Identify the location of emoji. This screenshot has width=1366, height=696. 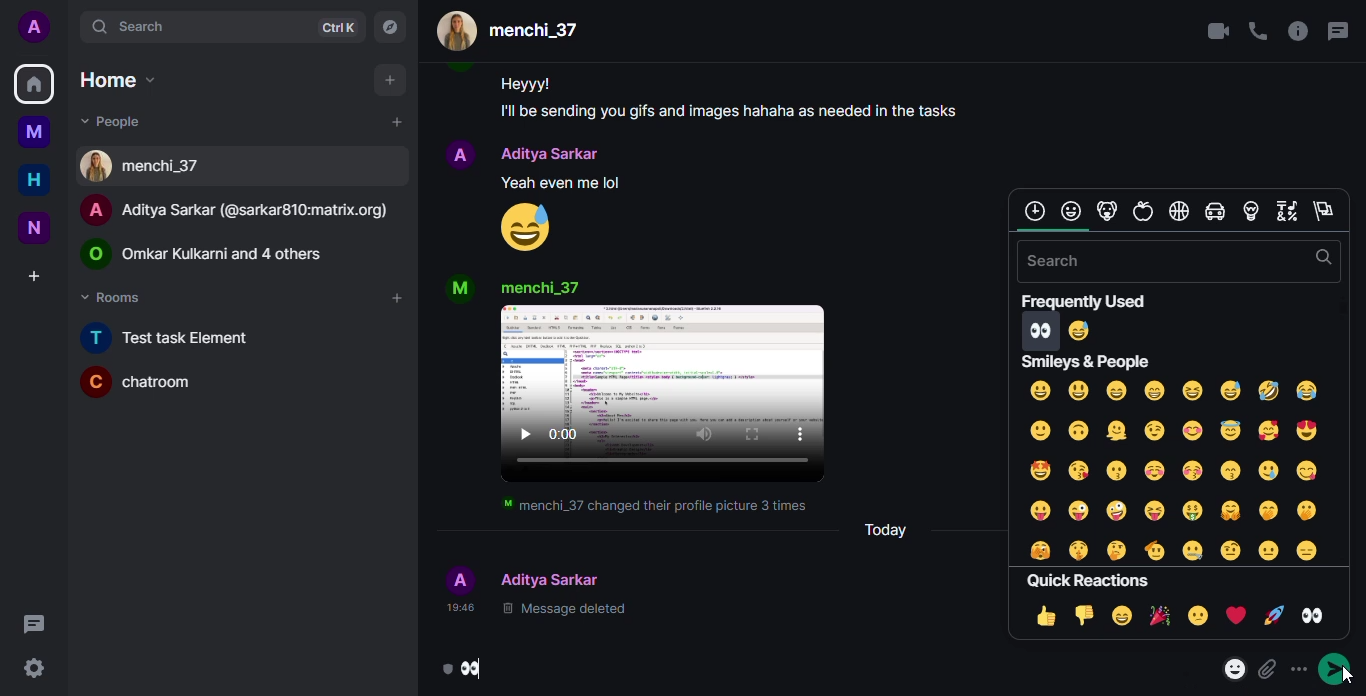
(525, 227).